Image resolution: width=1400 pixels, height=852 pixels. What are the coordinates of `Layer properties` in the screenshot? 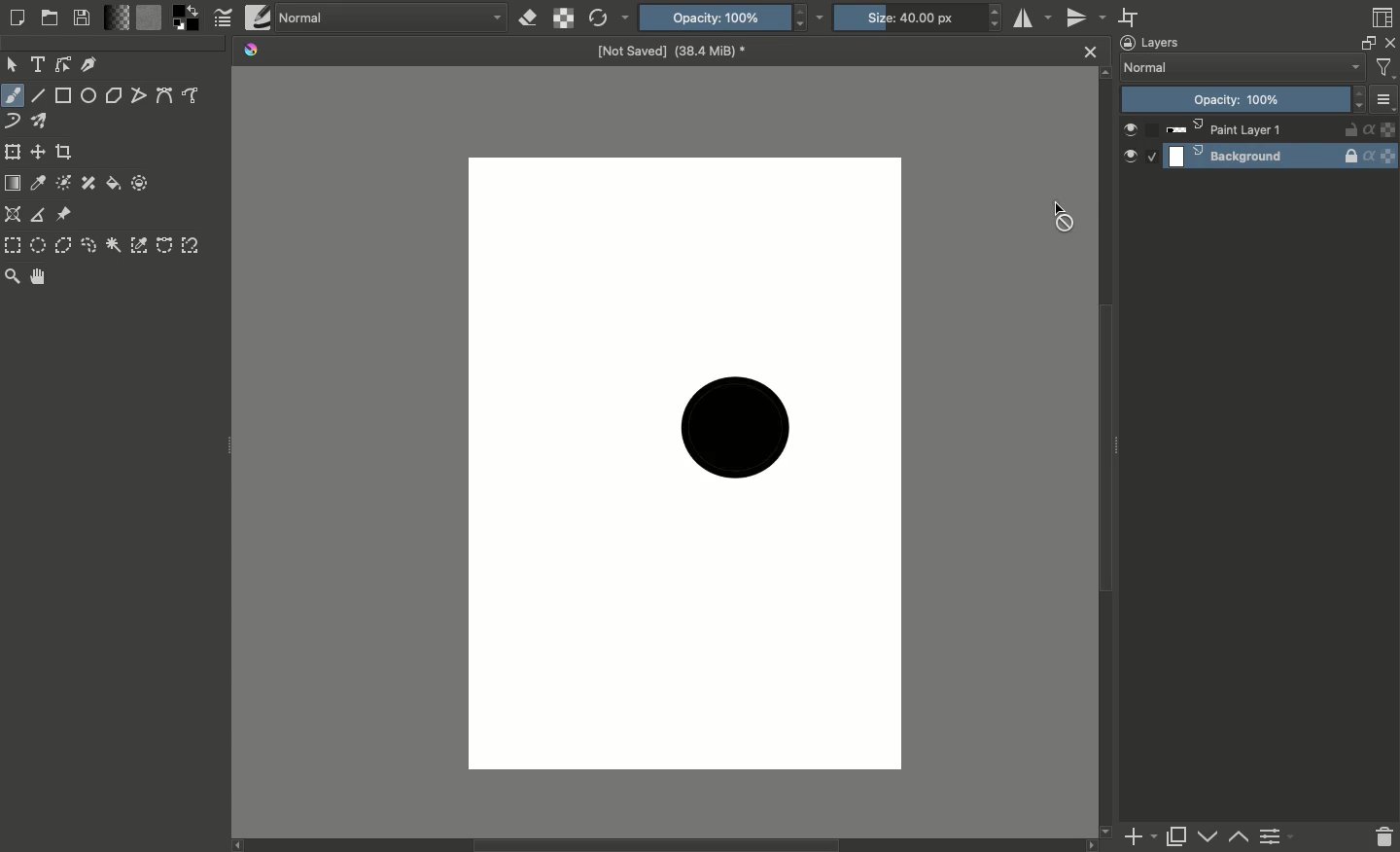 It's located at (1281, 837).